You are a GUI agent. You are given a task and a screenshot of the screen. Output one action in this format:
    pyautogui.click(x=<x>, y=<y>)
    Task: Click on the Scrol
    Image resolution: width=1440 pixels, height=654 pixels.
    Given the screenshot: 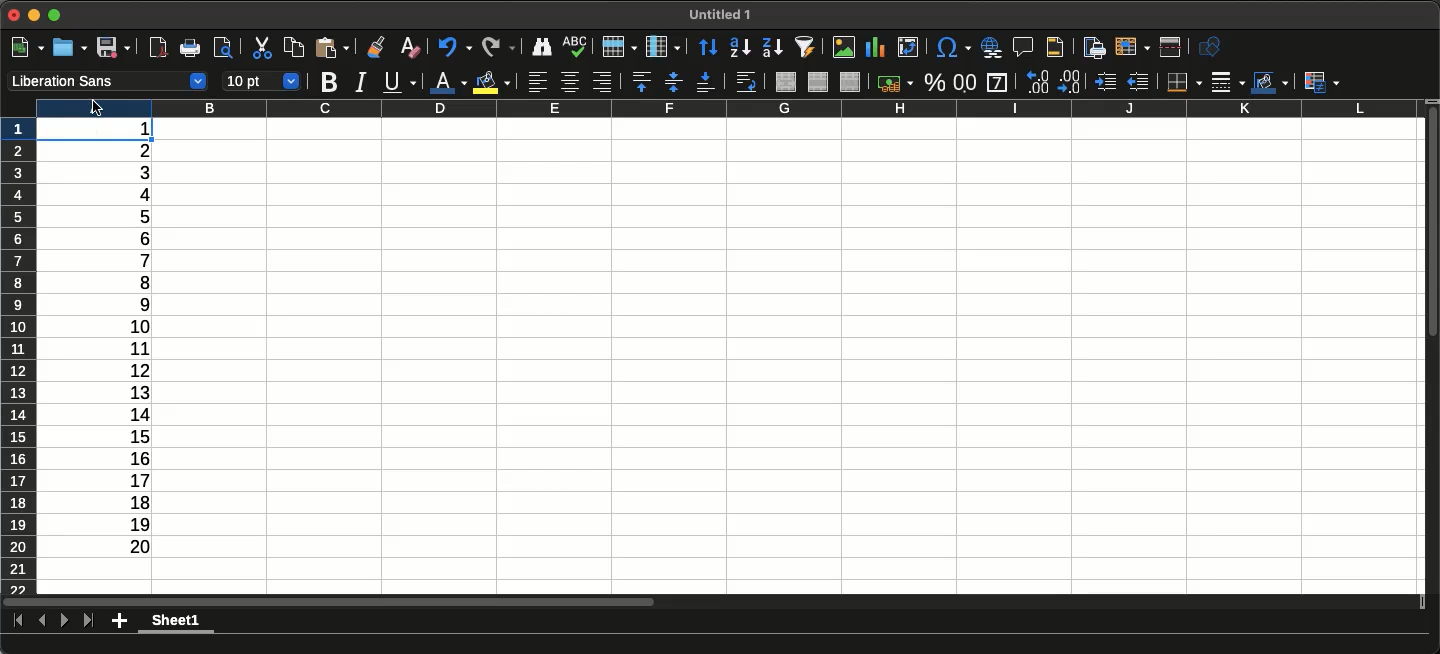 What is the action you would take?
    pyautogui.click(x=329, y=603)
    